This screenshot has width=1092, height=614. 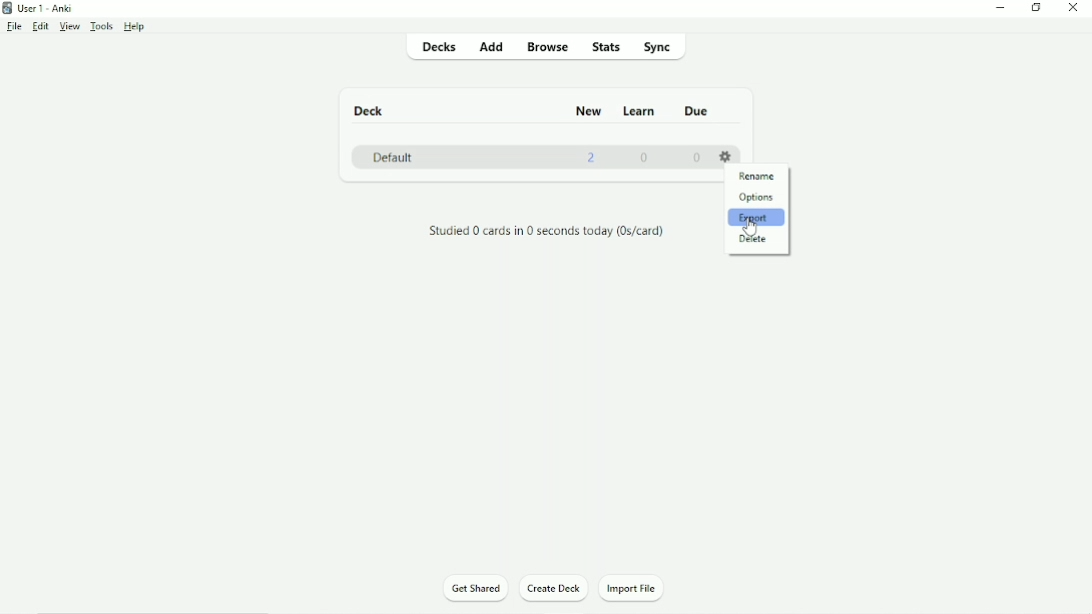 I want to click on Studied 0 cards in 0 seconds today., so click(x=547, y=230).